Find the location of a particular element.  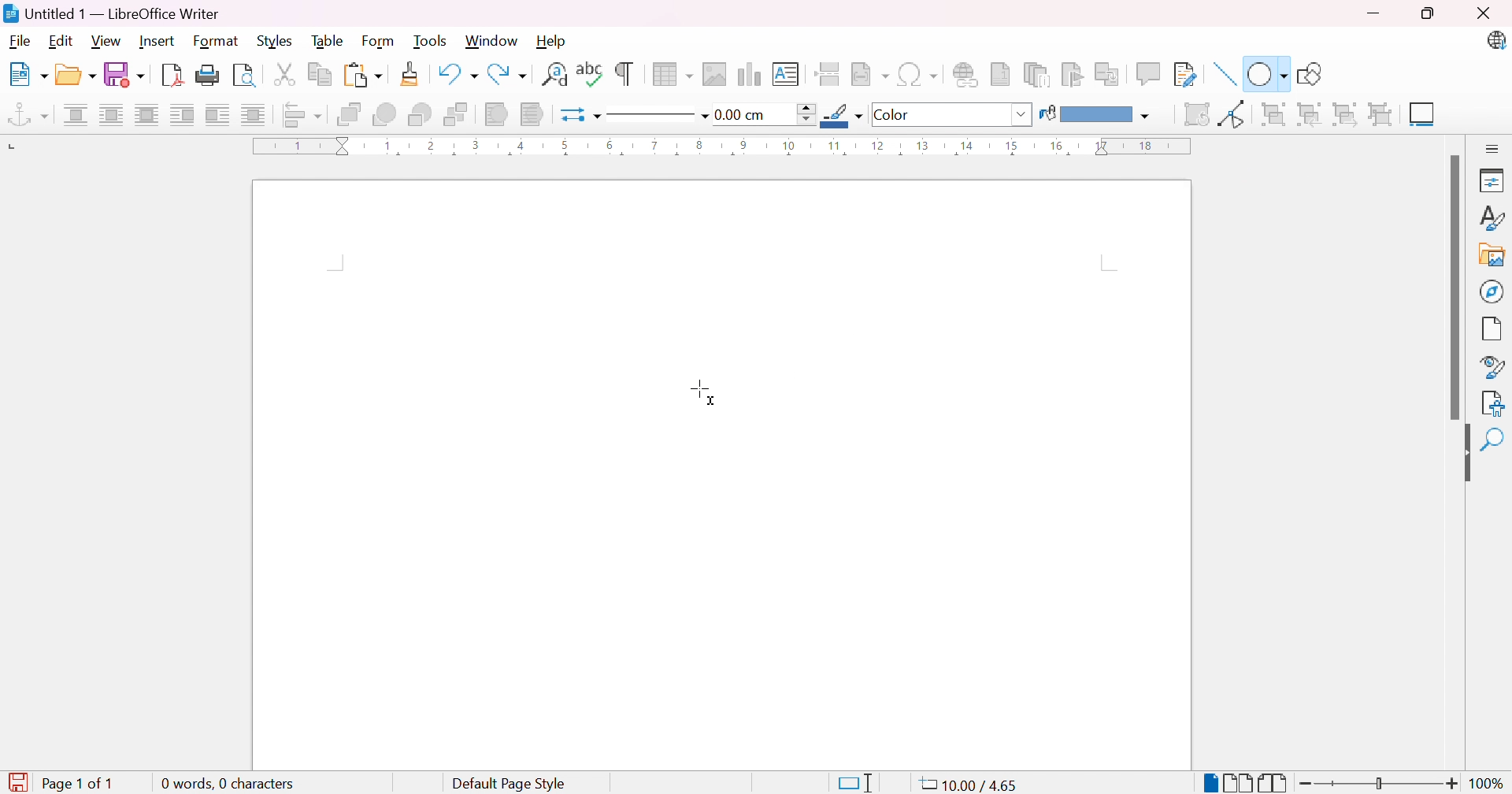

Gallery is located at coordinates (1492, 256).